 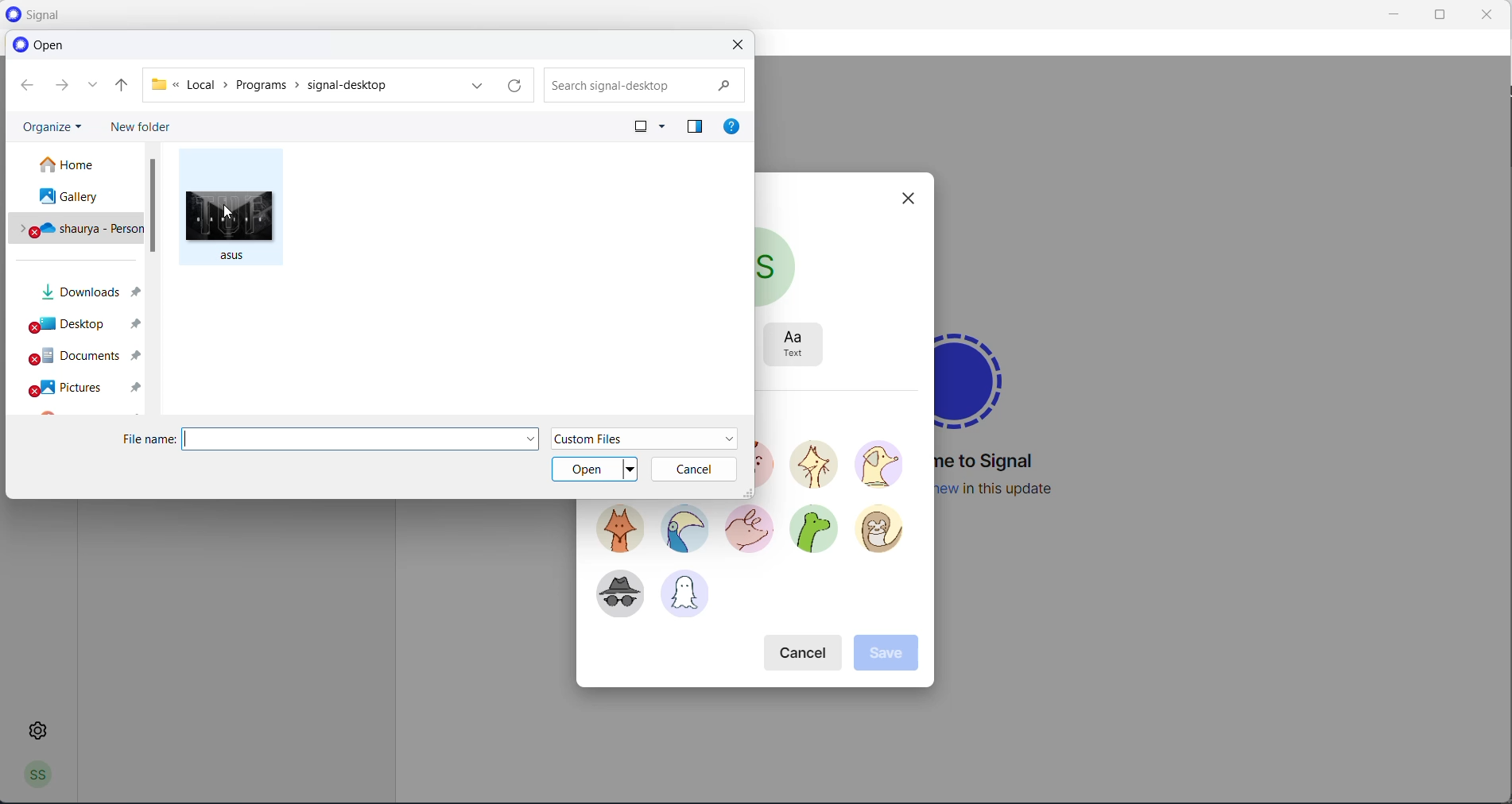 What do you see at coordinates (665, 412) in the screenshot?
I see `select avatar heading` at bounding box center [665, 412].